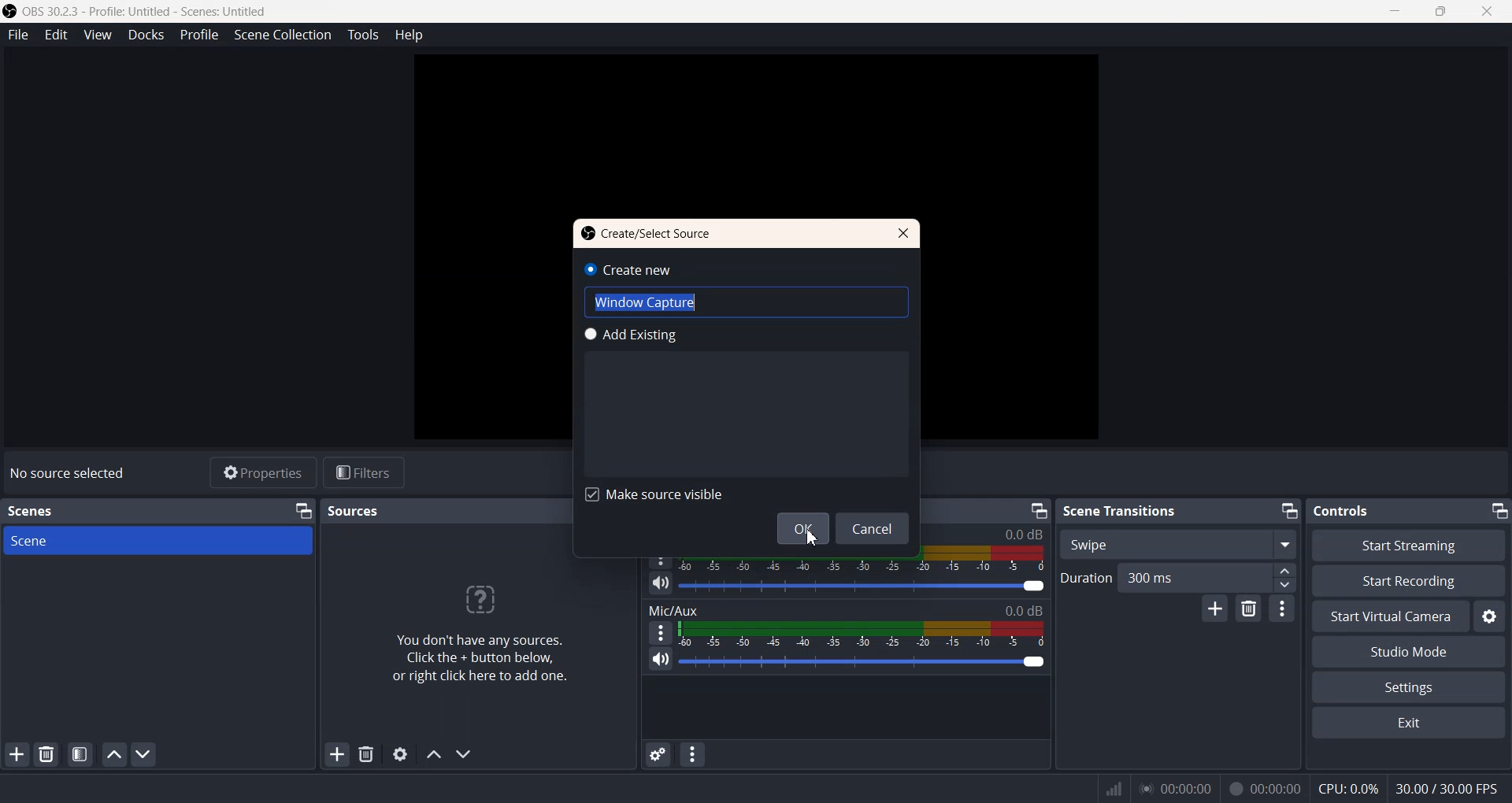 Image resolution: width=1512 pixels, height=803 pixels. I want to click on Volume Indicator, so click(862, 635).